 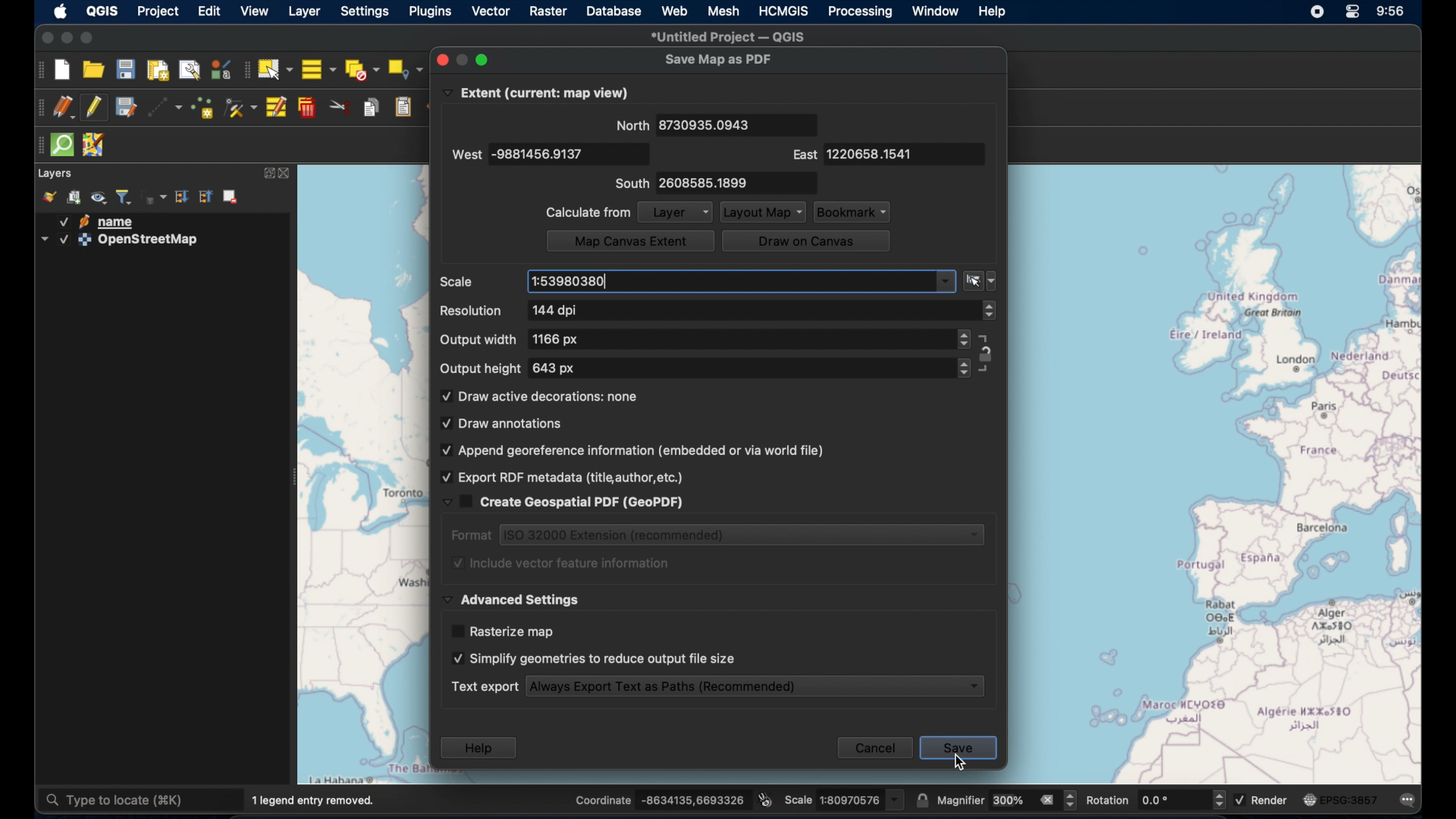 I want to click on set to current canvas scale dropdown, so click(x=979, y=281).